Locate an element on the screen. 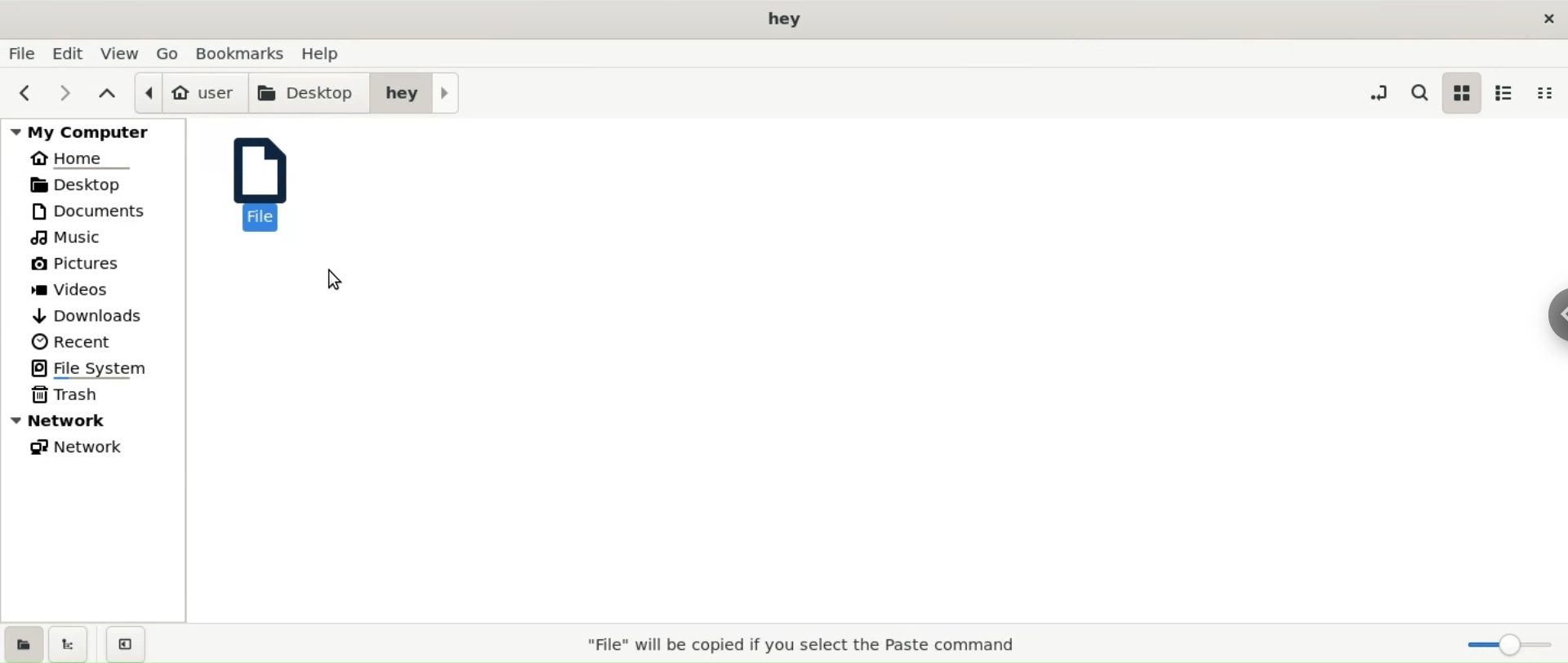 This screenshot has height=663, width=1568. user is located at coordinates (189, 91).